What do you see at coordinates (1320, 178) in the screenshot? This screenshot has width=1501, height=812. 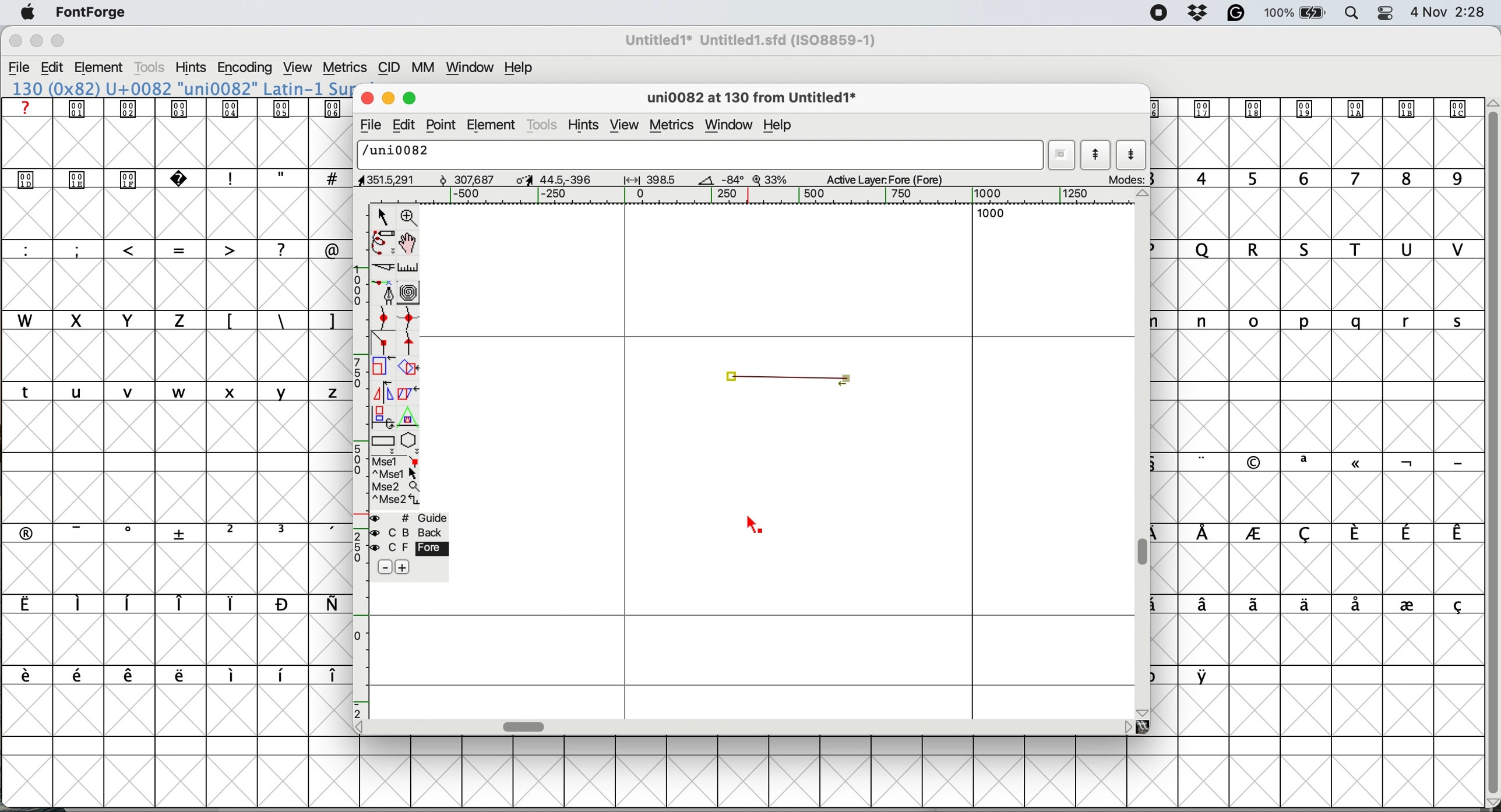 I see `numbers` at bounding box center [1320, 178].